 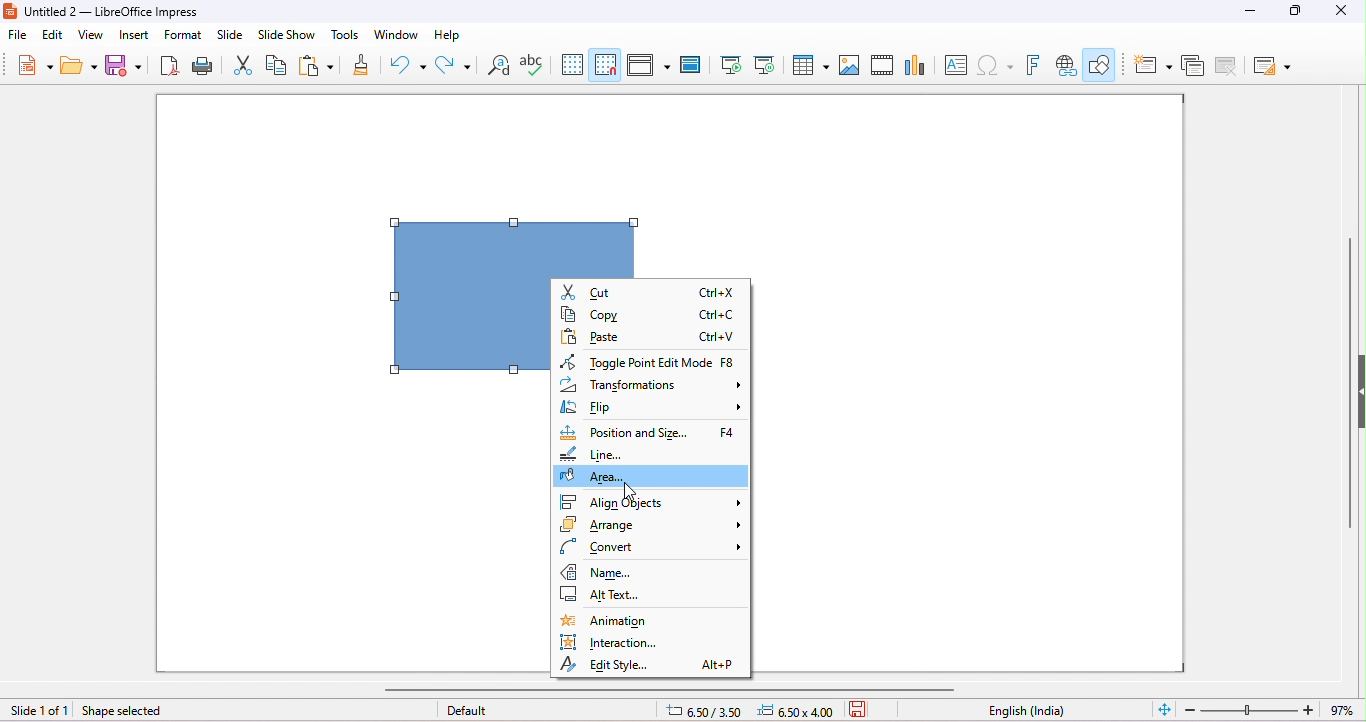 What do you see at coordinates (1032, 64) in the screenshot?
I see `insert fontwork text` at bounding box center [1032, 64].